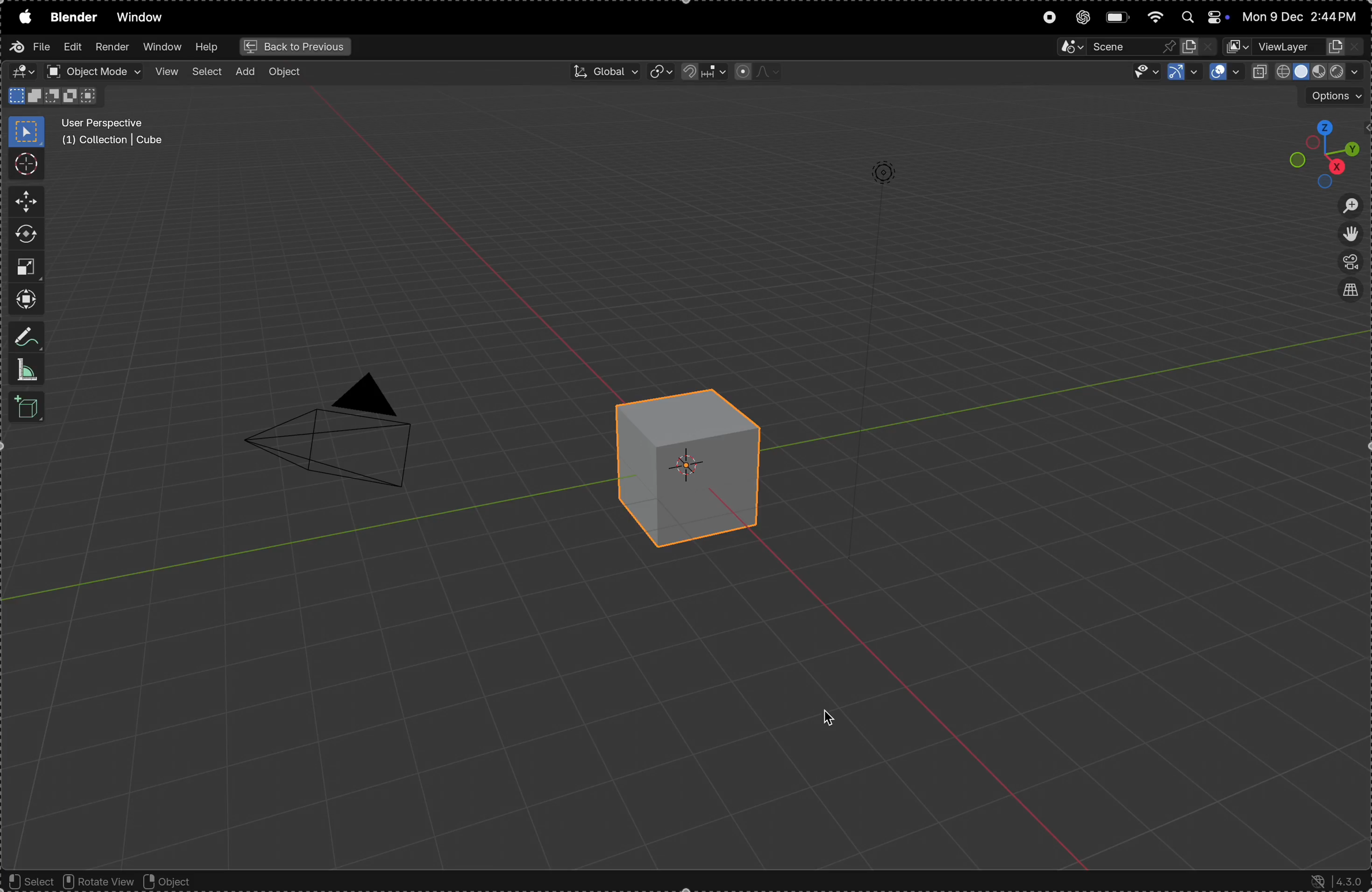  I want to click on Global, so click(601, 70).